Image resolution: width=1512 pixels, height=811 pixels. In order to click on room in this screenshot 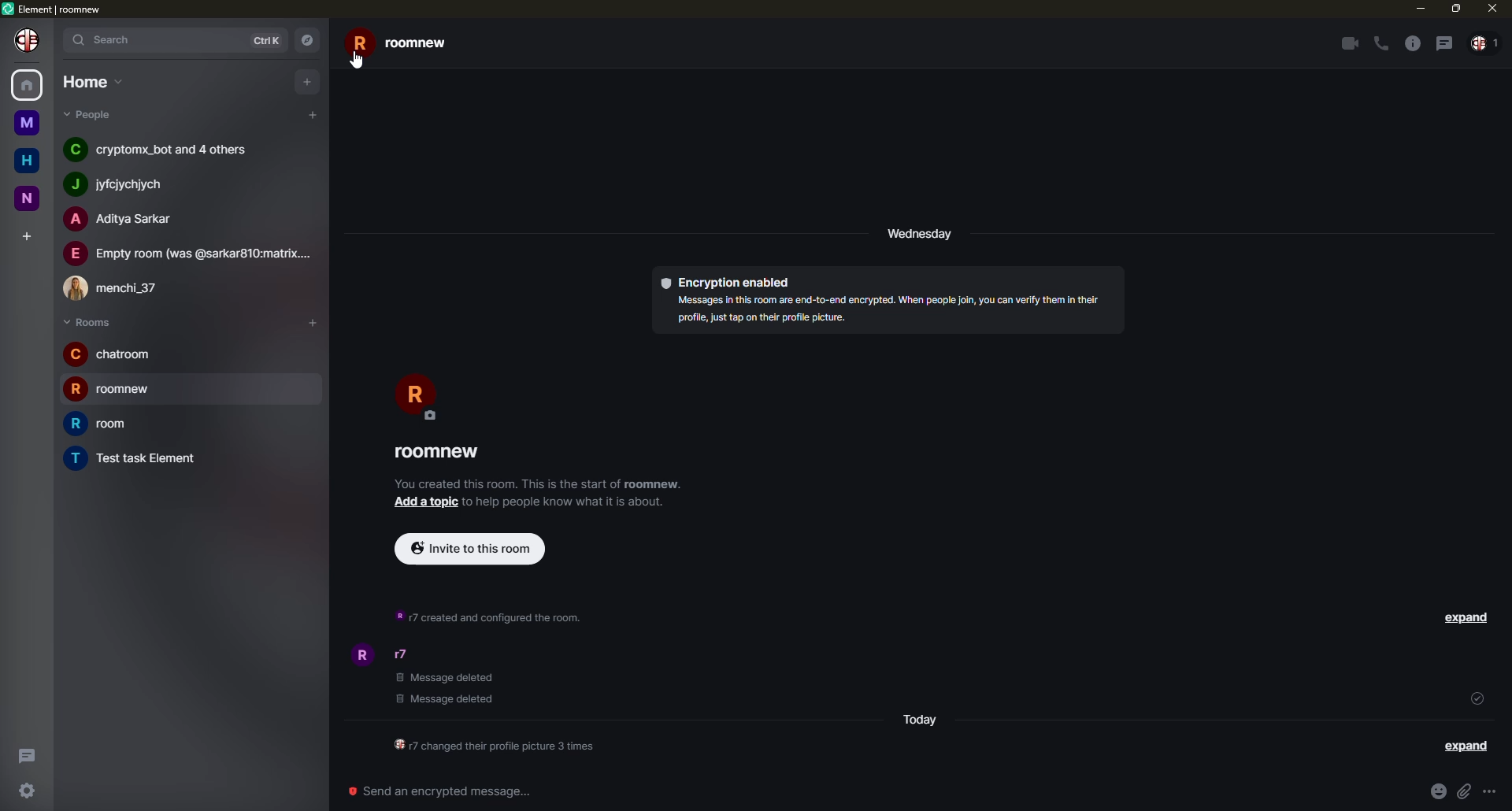, I will do `click(135, 457)`.